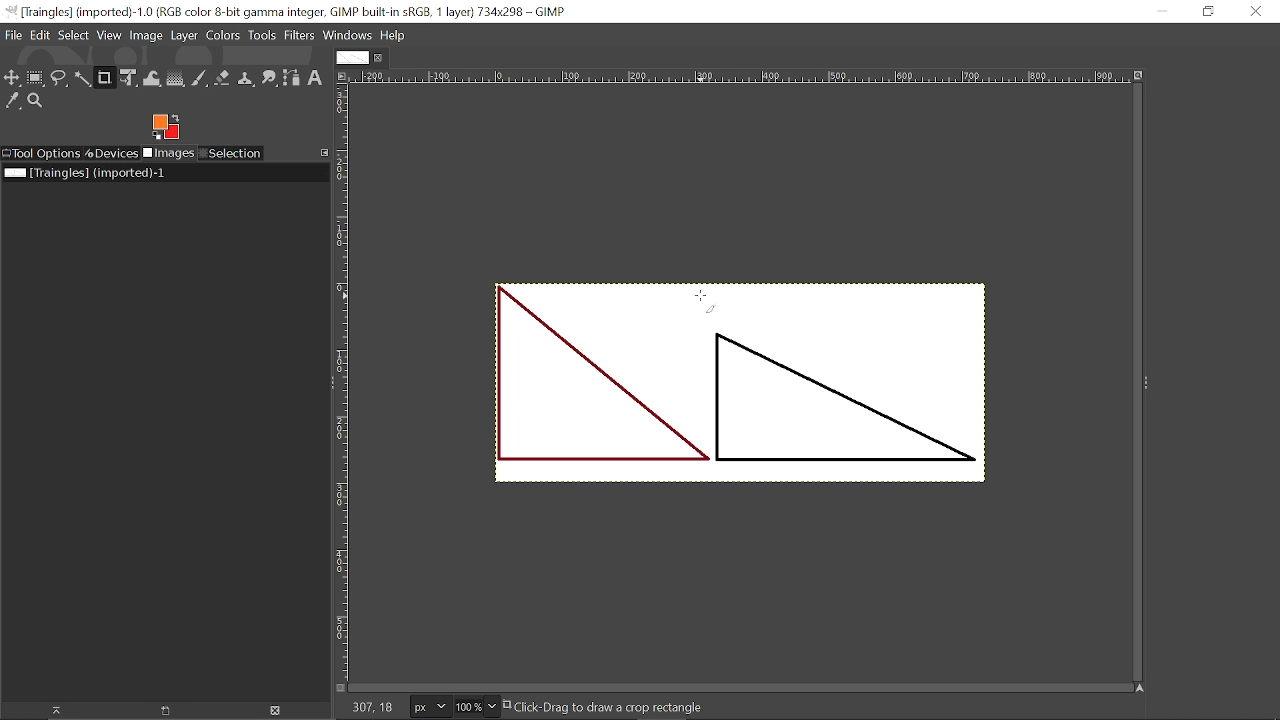  Describe the element at coordinates (343, 77) in the screenshot. I see `Access the image menu` at that location.